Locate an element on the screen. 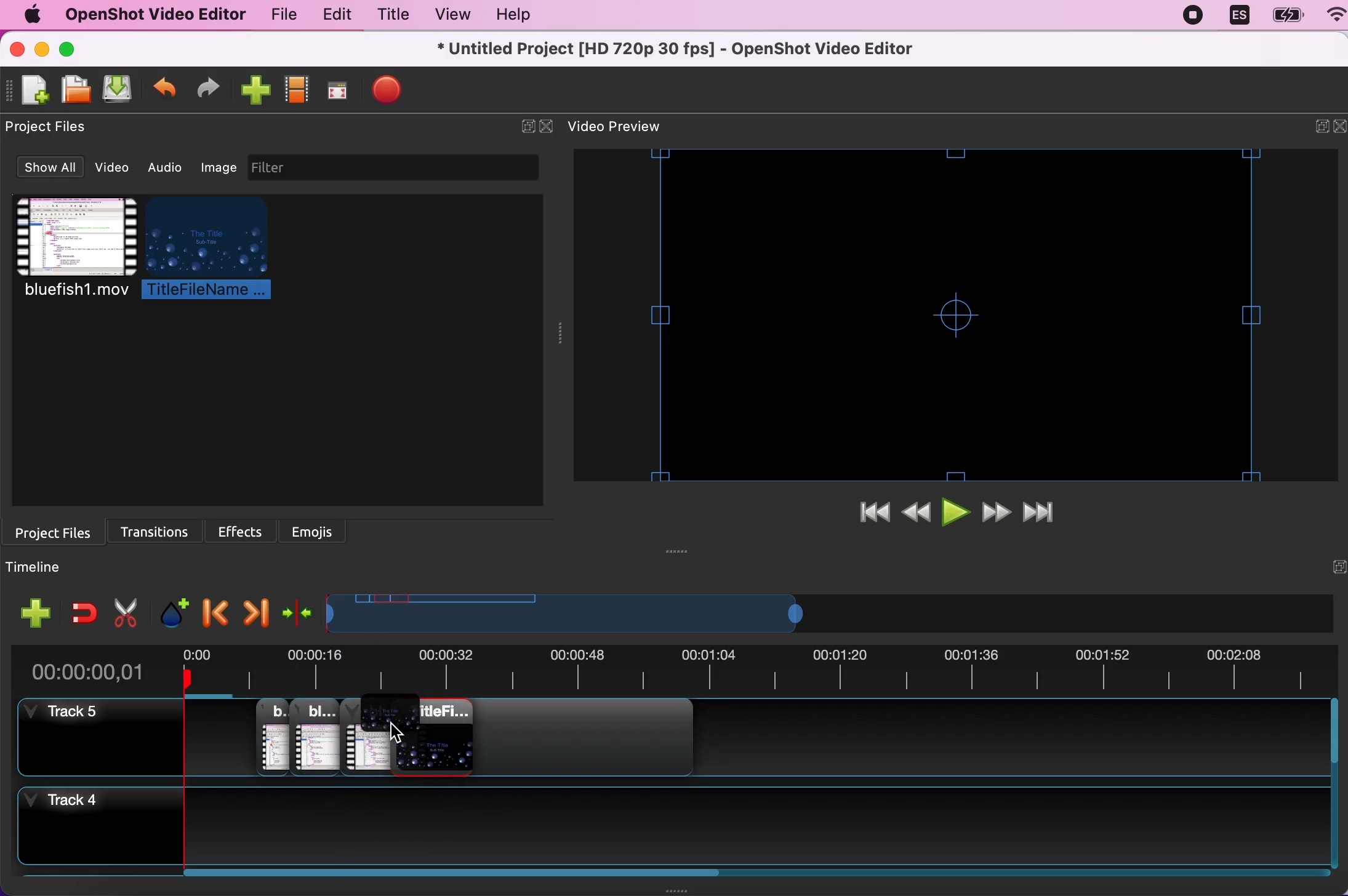 This screenshot has height=896, width=1348. import file is located at coordinates (253, 91).